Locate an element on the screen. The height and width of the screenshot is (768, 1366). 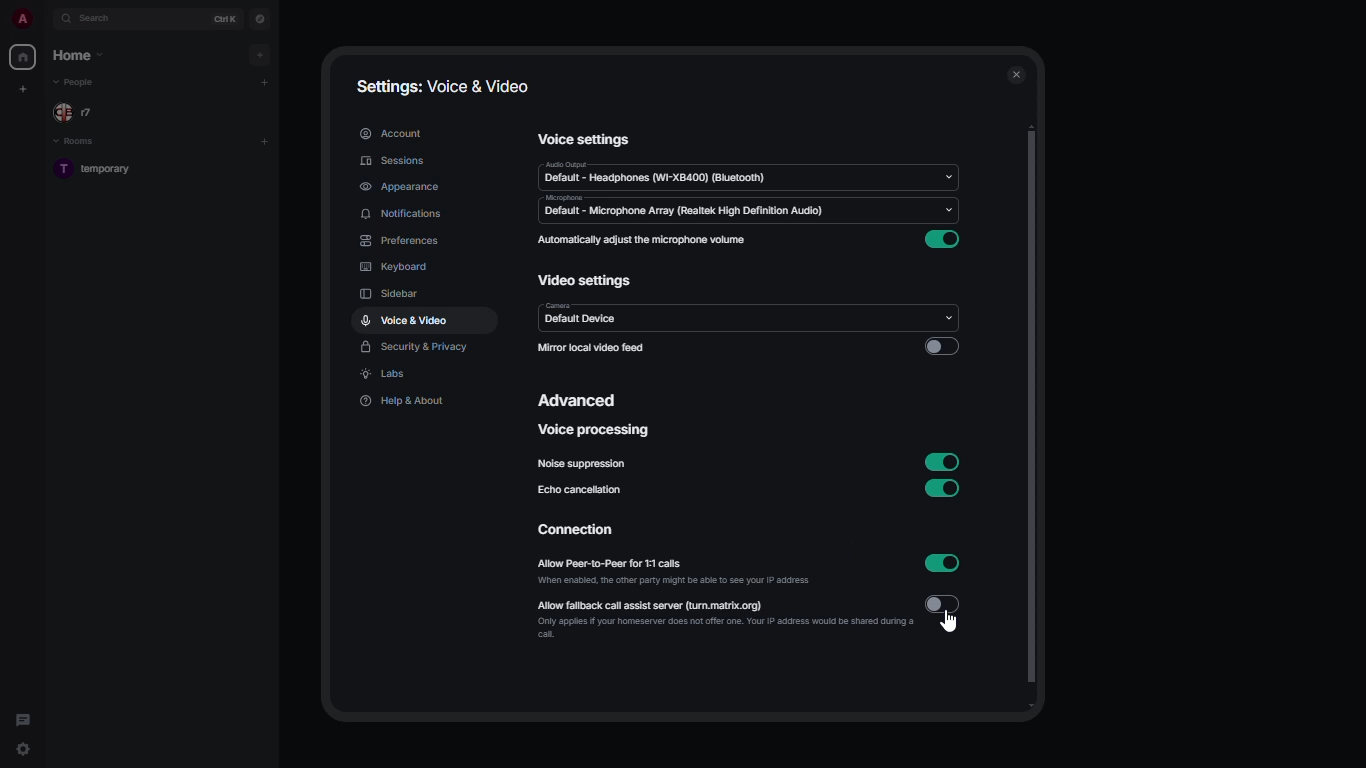
expand is located at coordinates (46, 20).